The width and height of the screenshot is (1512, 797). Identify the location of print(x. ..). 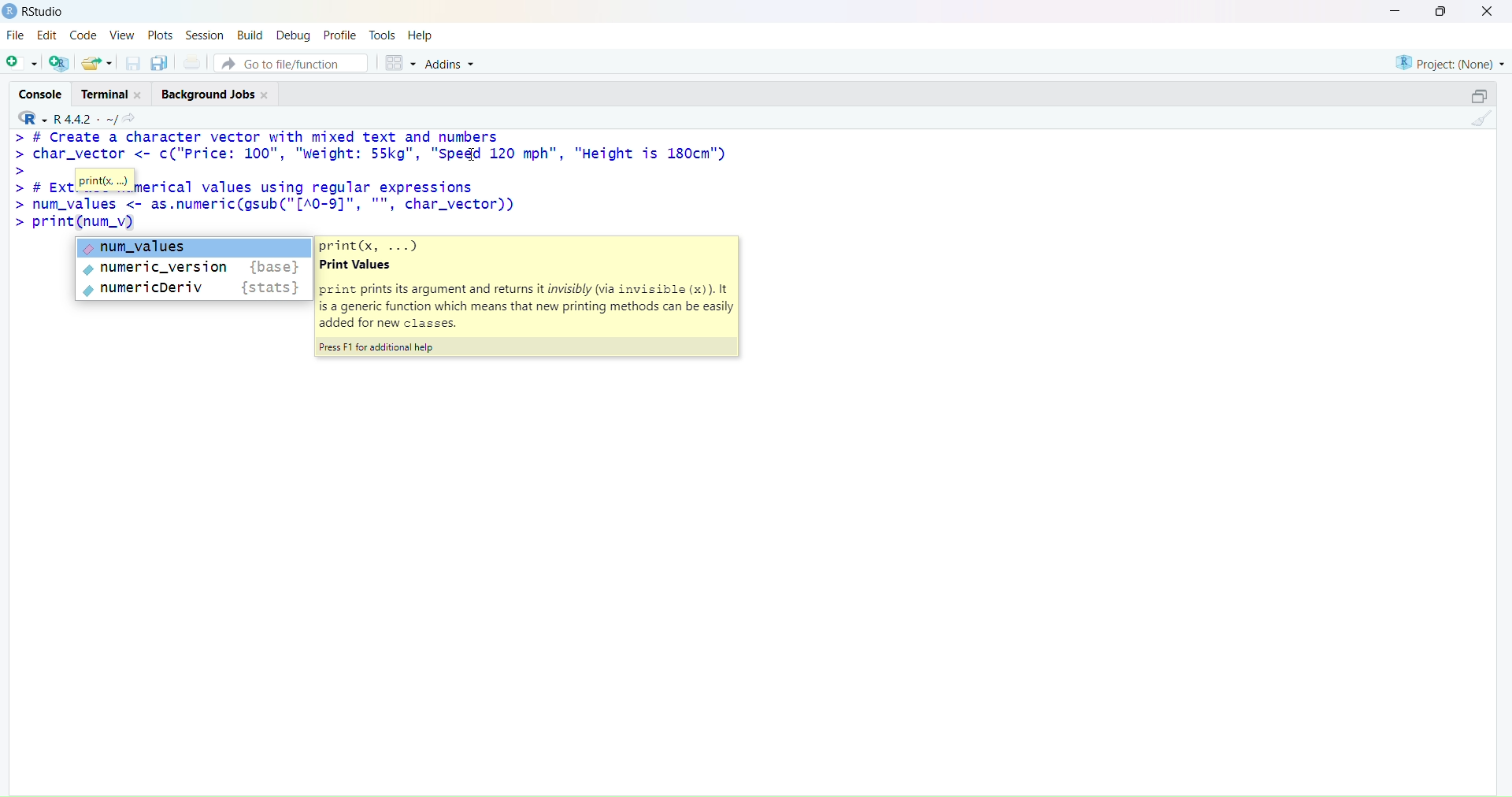
(103, 181).